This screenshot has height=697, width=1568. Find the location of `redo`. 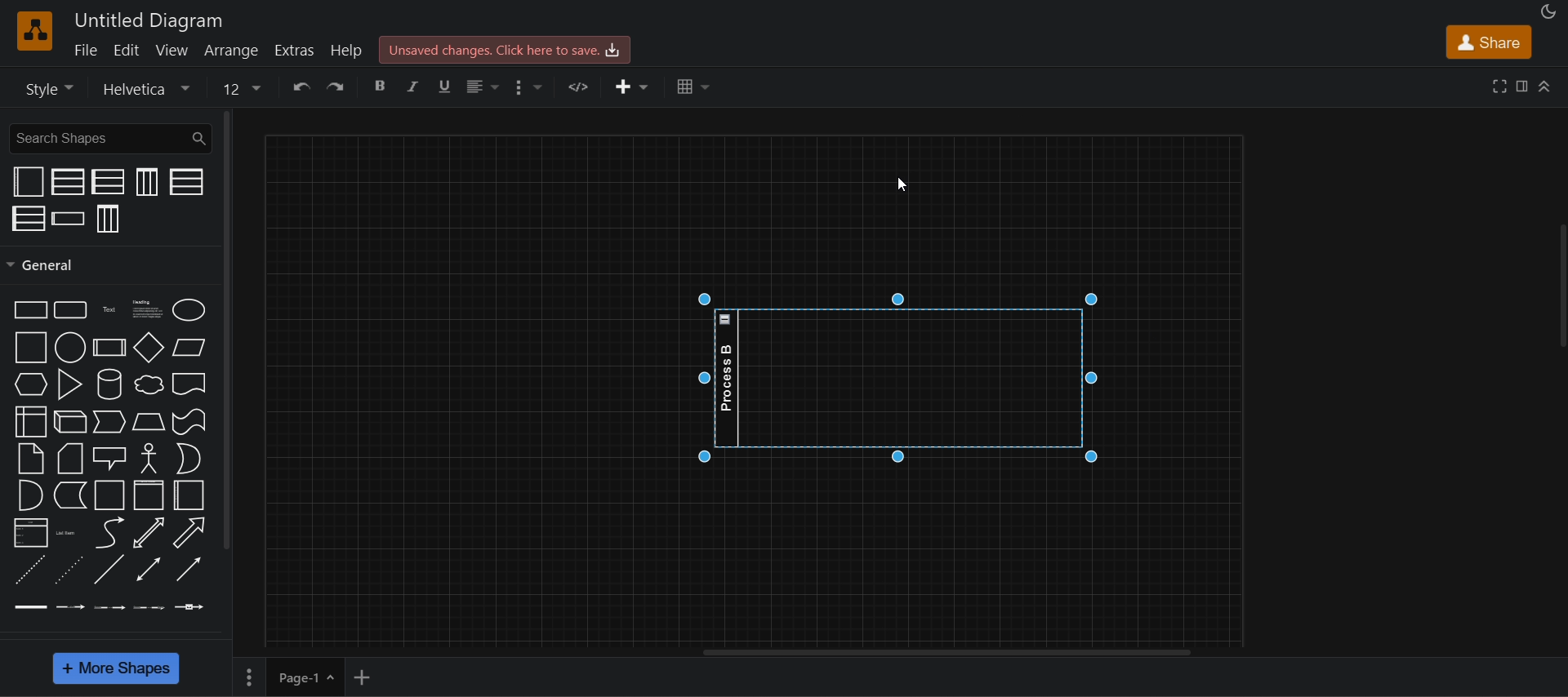

redo is located at coordinates (341, 87).